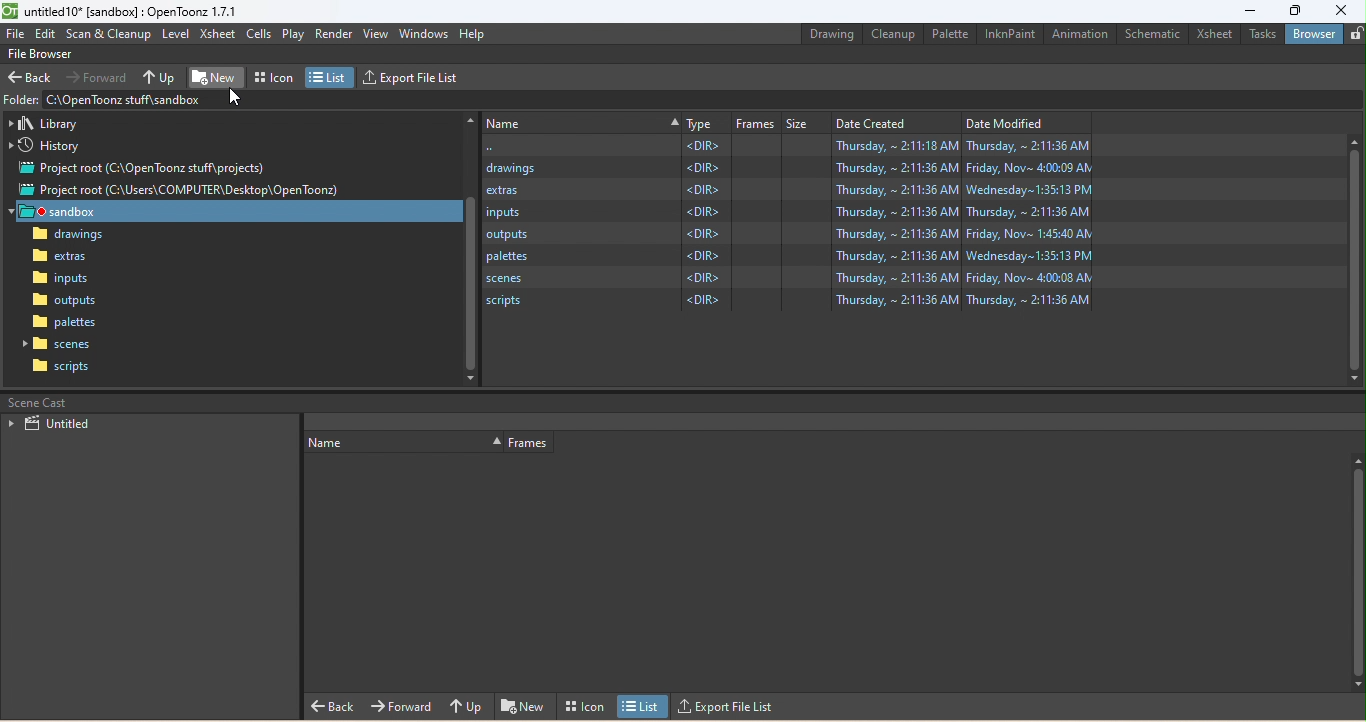 This screenshot has width=1366, height=722. I want to click on Order, so click(403, 441).